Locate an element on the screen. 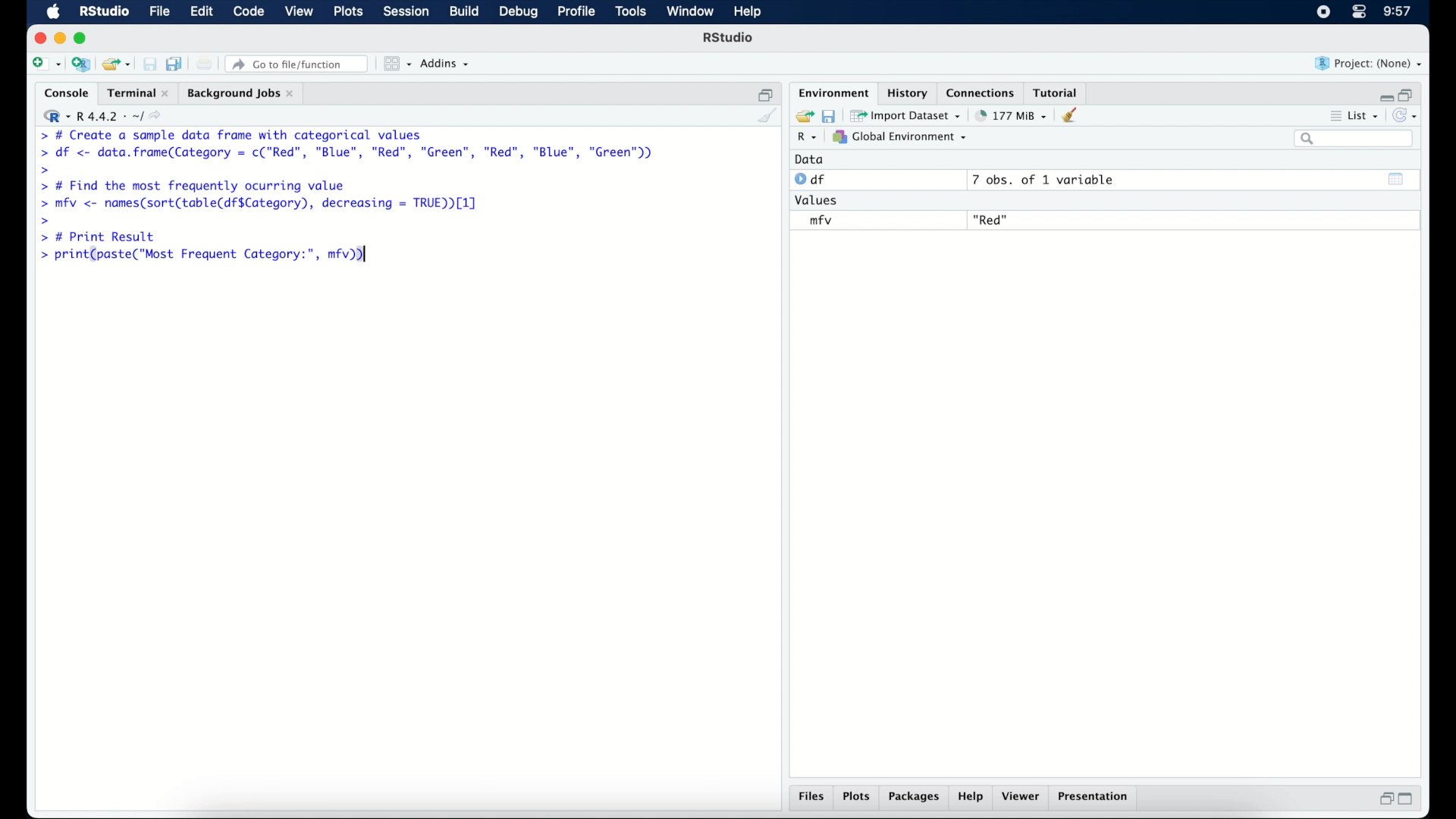 Image resolution: width=1456 pixels, height=819 pixels. edit is located at coordinates (202, 12).